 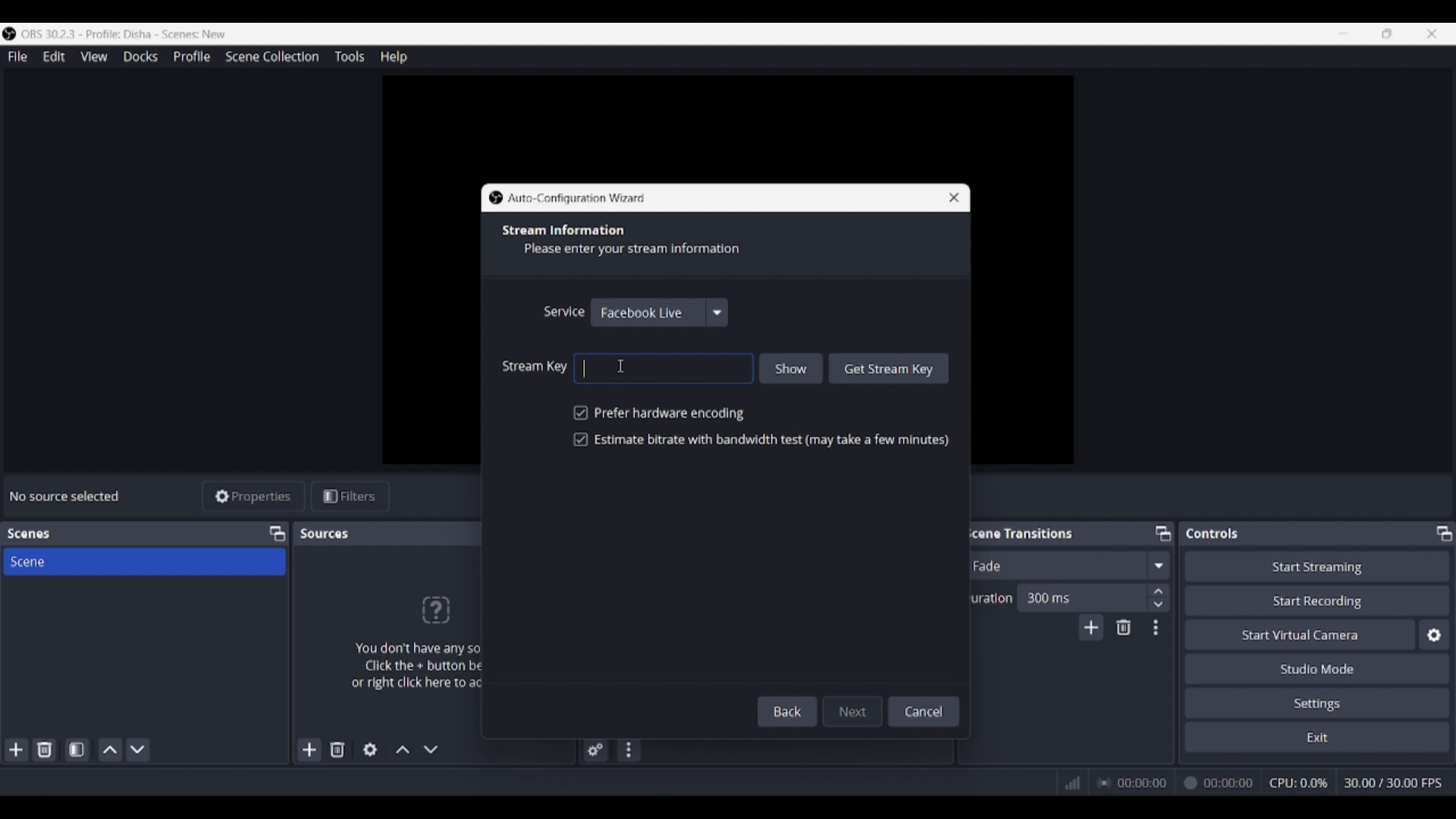 I want to click on Scene collection menu, so click(x=271, y=56).